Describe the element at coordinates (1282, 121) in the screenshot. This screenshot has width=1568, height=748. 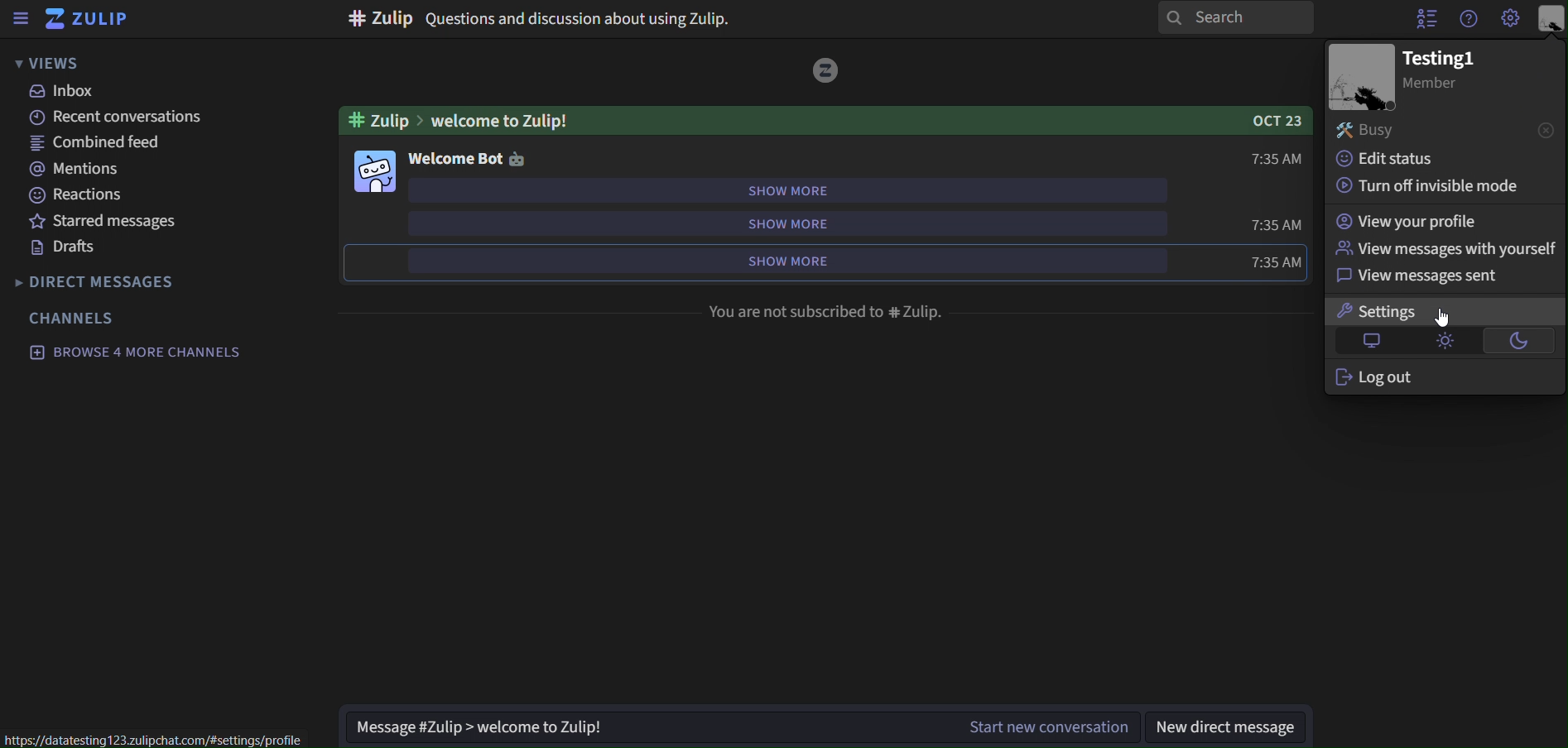
I see `Oct 23` at that location.